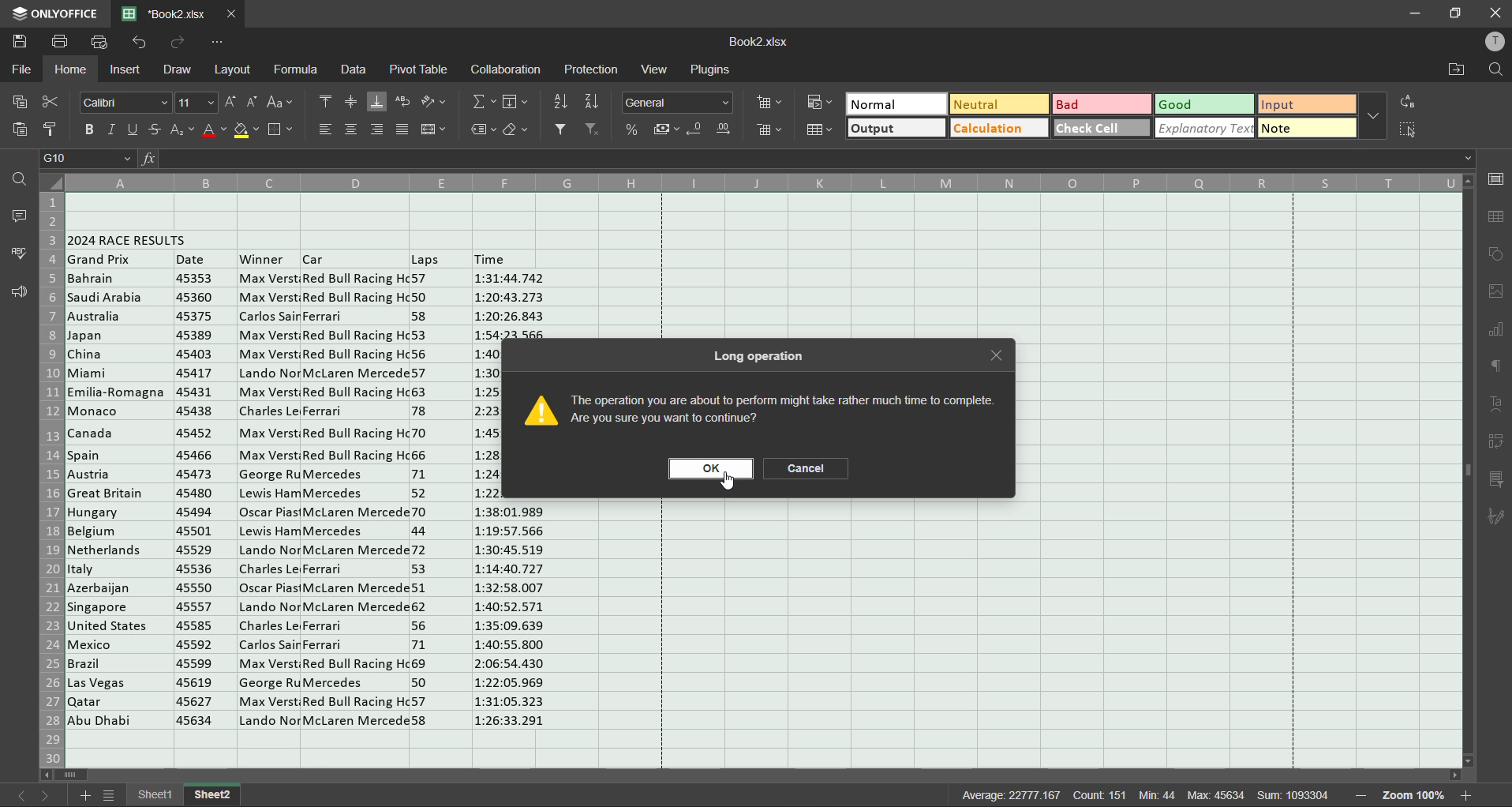 The width and height of the screenshot is (1512, 807). I want to click on insert cells, so click(768, 103).